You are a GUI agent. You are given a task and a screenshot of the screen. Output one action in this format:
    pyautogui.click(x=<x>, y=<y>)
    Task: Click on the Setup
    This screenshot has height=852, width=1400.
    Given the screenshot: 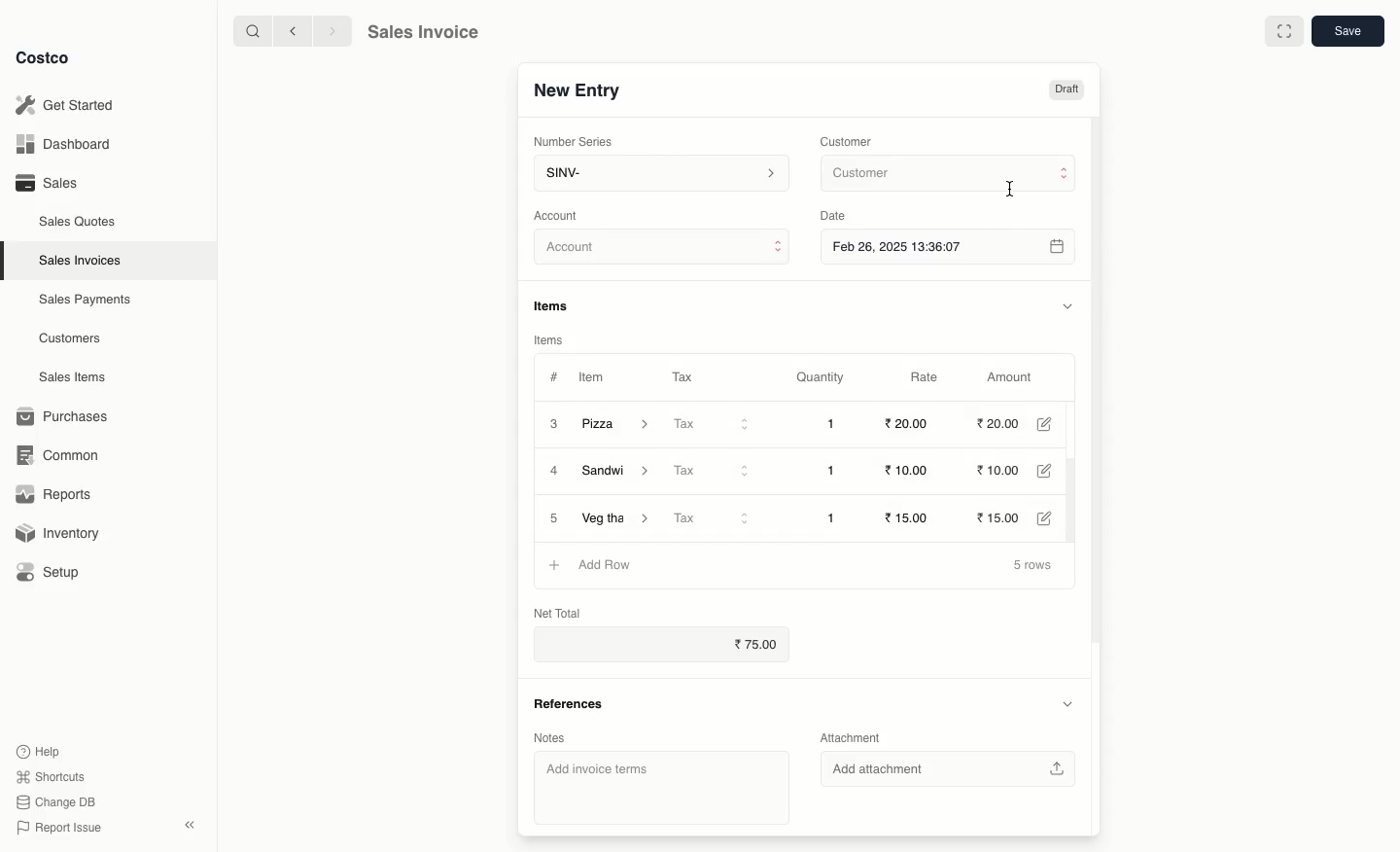 What is the action you would take?
    pyautogui.click(x=55, y=572)
    